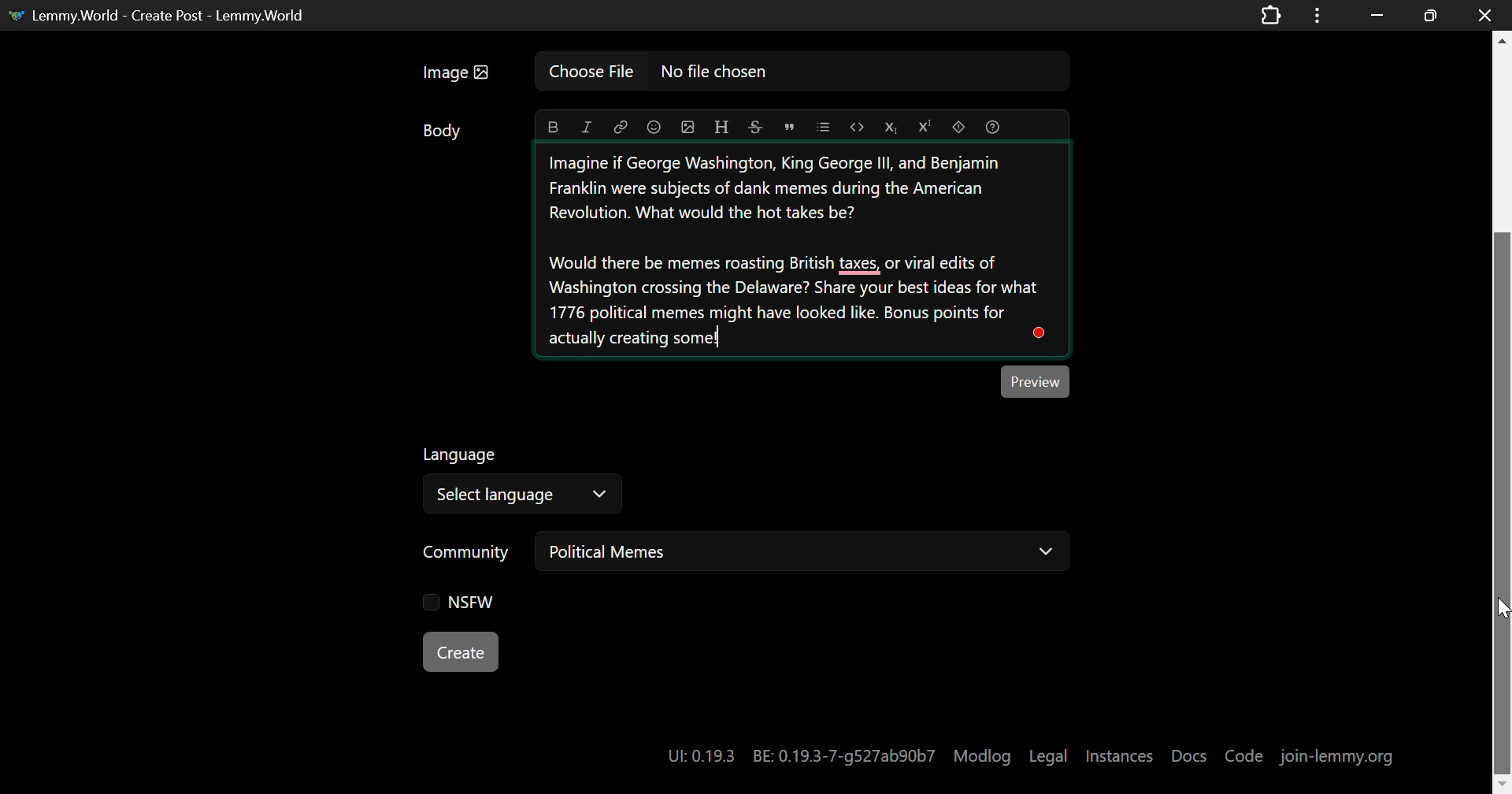 Image resolution: width=1512 pixels, height=794 pixels. Describe the element at coordinates (802, 251) in the screenshot. I see `Memes in American Revolution` at that location.